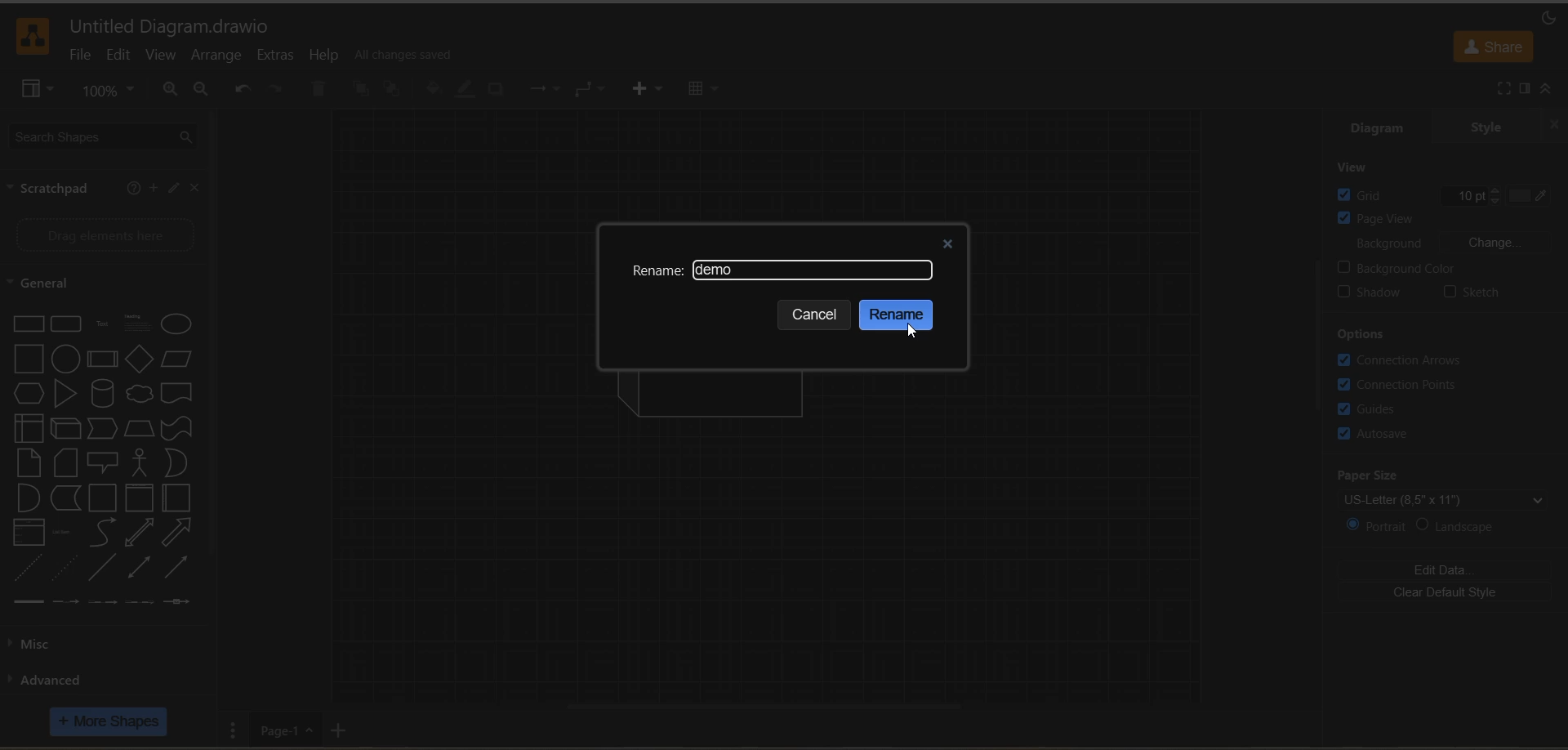 Image resolution: width=1568 pixels, height=750 pixels. I want to click on cancel, so click(817, 315).